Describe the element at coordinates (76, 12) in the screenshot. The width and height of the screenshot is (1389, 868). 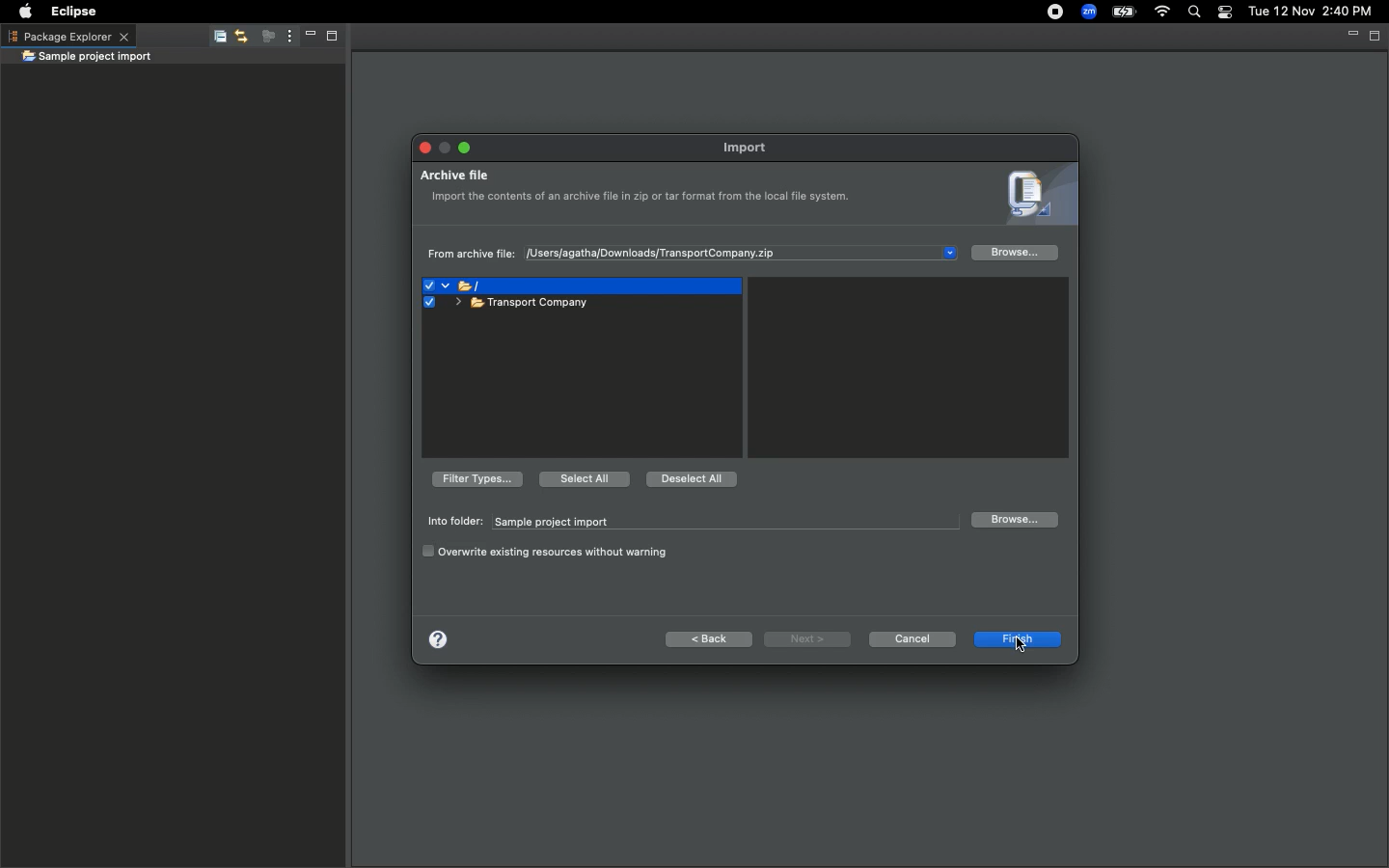
I see `Eclipse` at that location.